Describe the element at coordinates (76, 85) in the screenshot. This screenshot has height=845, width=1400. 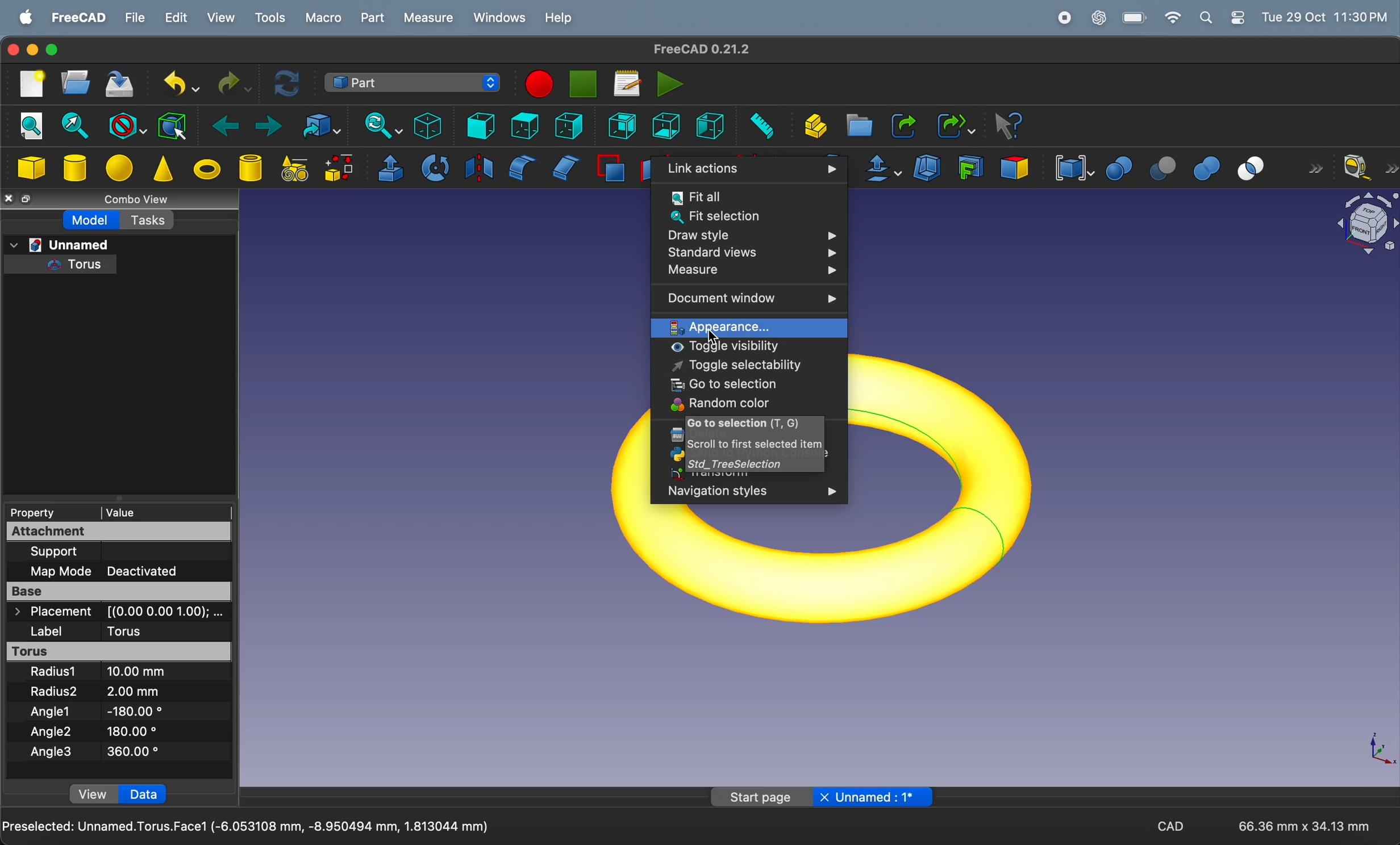
I see `open` at that location.